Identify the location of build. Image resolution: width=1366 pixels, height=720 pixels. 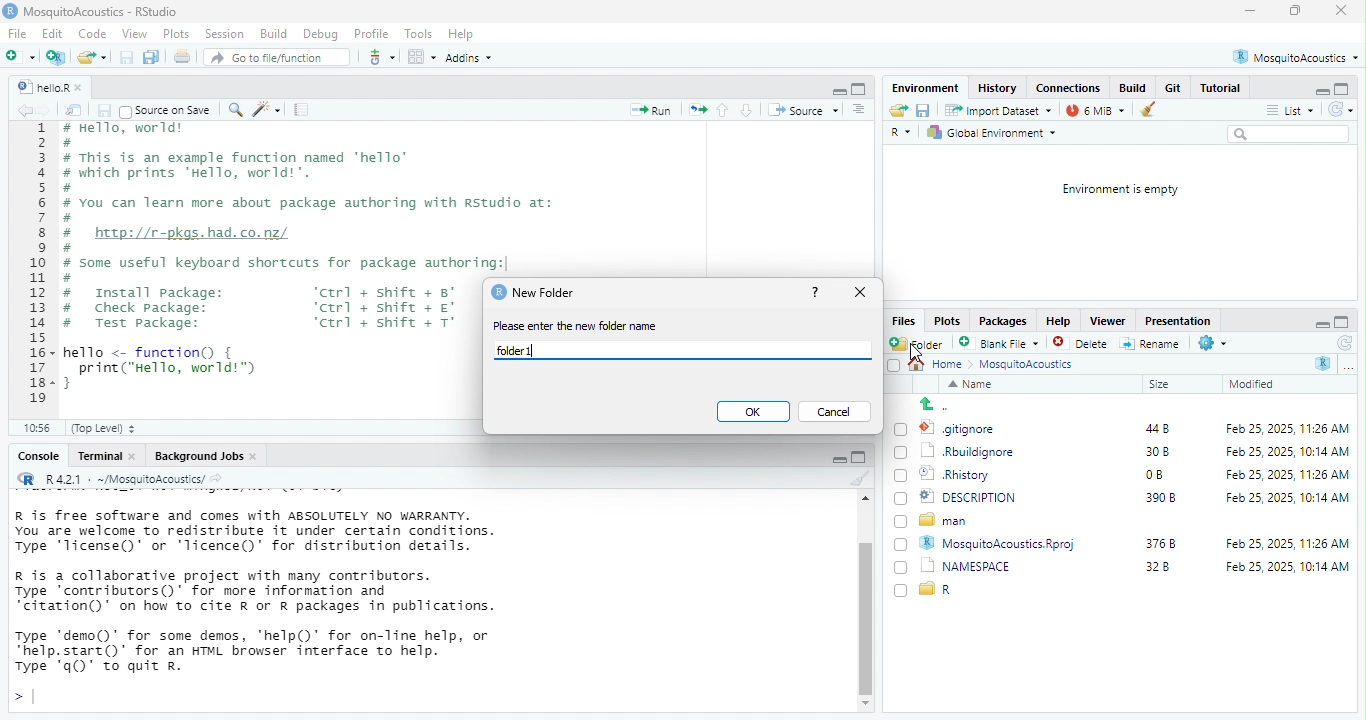
(1133, 88).